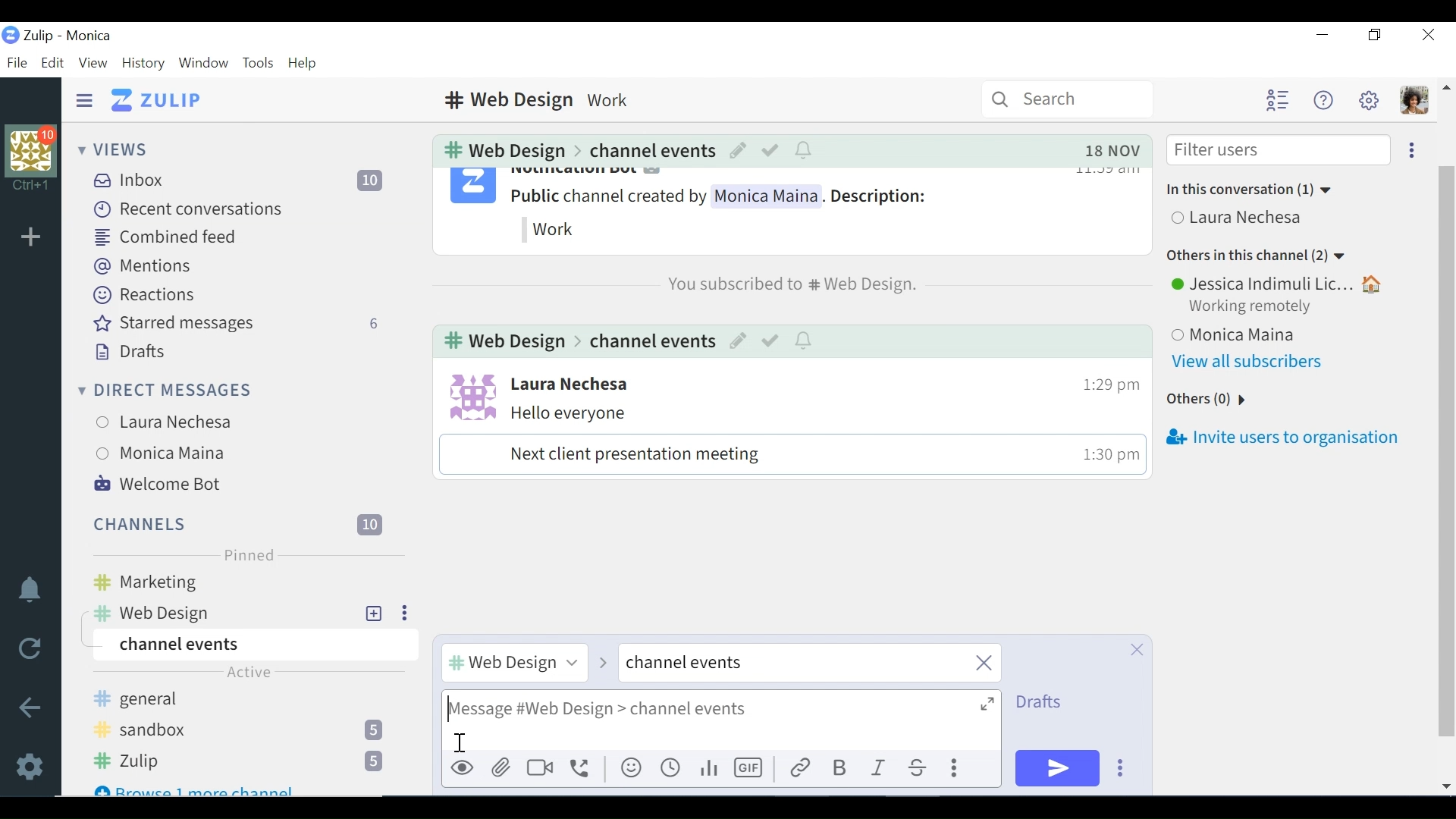 This screenshot has width=1456, height=819. I want to click on Add voice call, so click(580, 768).